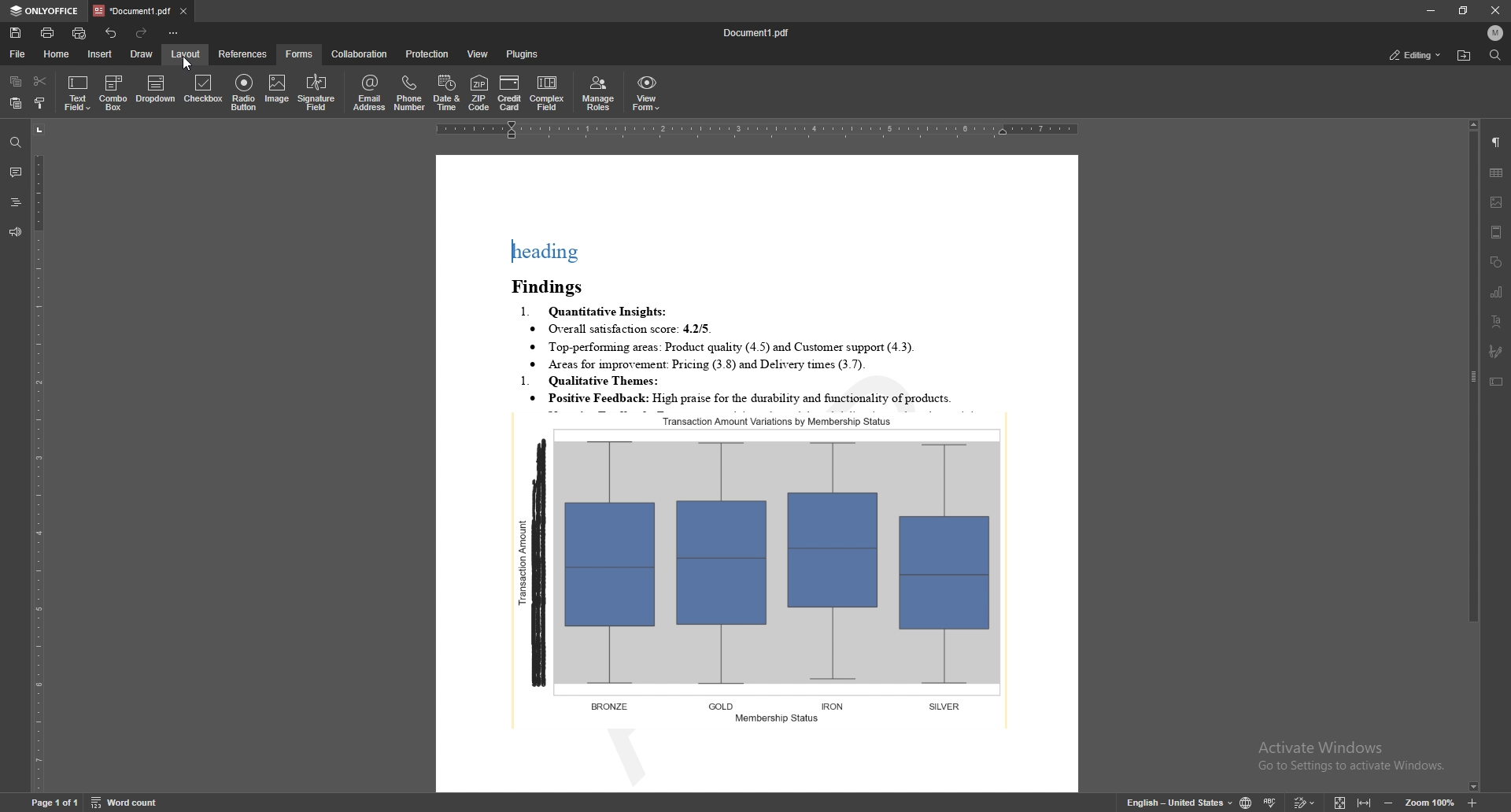  Describe the element at coordinates (57, 54) in the screenshot. I see `home` at that location.